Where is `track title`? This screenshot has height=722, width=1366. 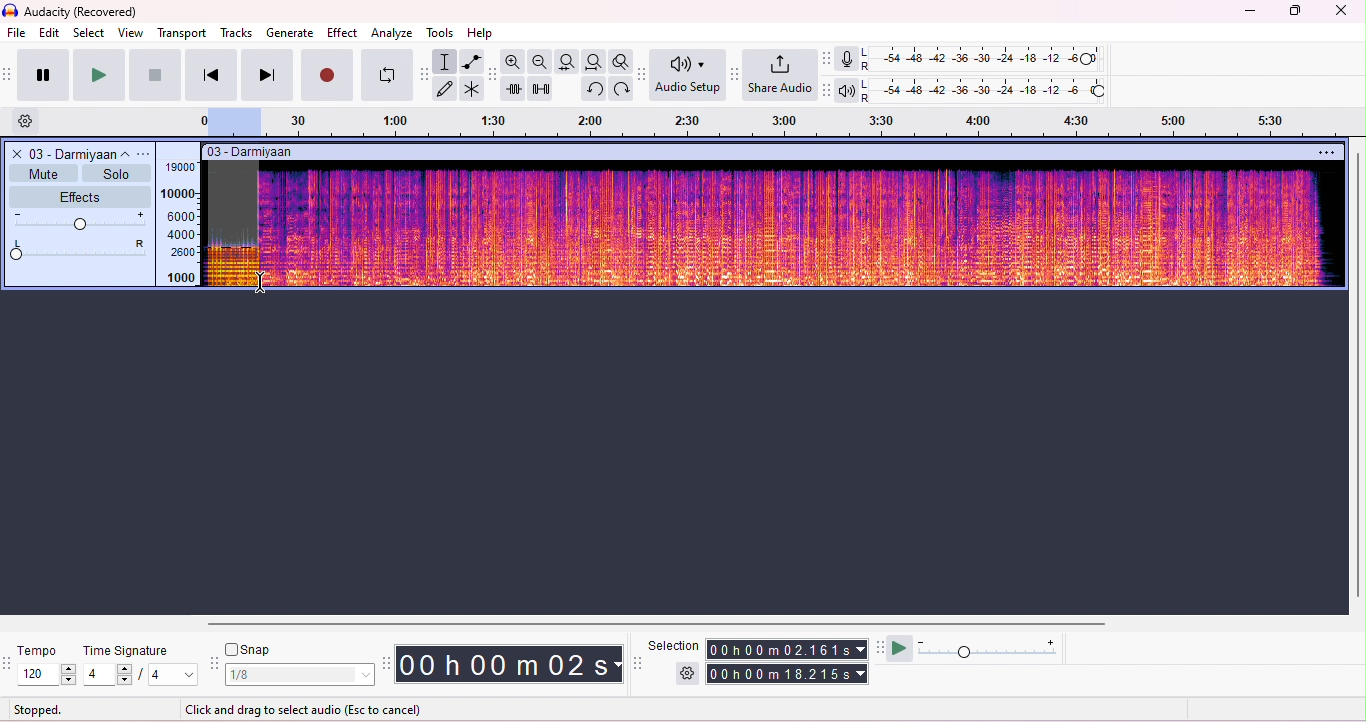 track title is located at coordinates (312, 153).